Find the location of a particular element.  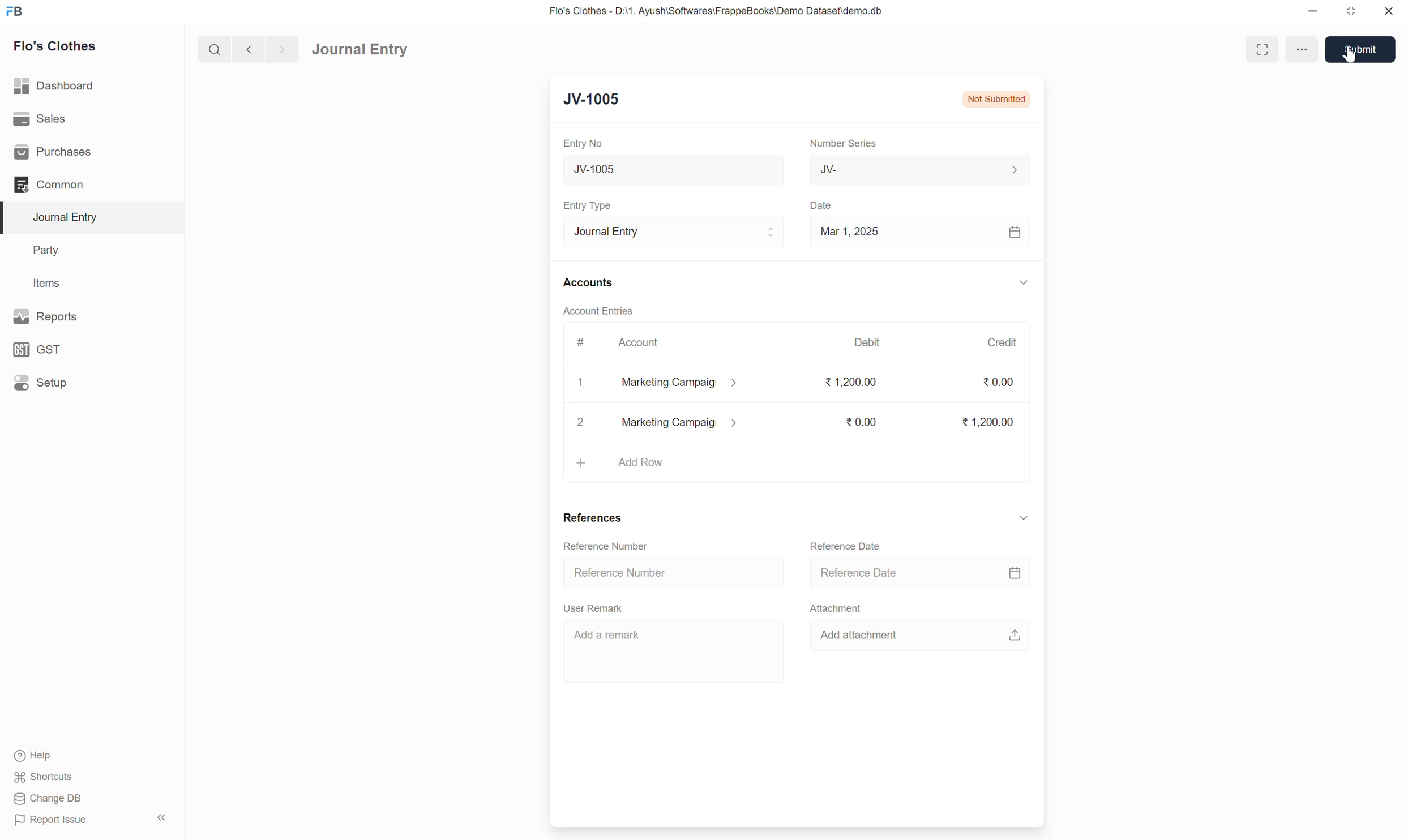

resize is located at coordinates (1349, 11).